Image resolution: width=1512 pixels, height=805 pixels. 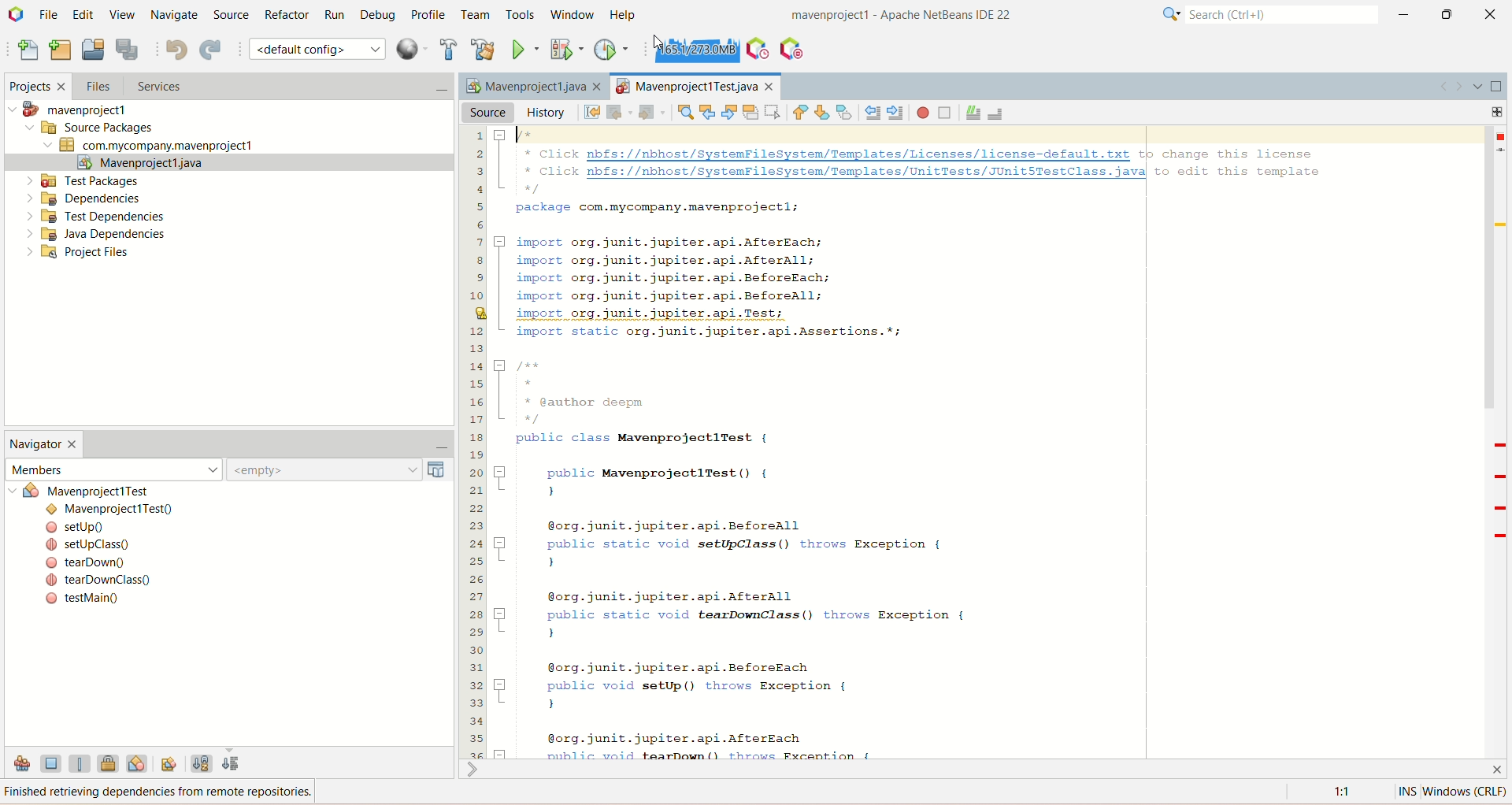 What do you see at coordinates (1492, 111) in the screenshot?
I see `add` at bounding box center [1492, 111].